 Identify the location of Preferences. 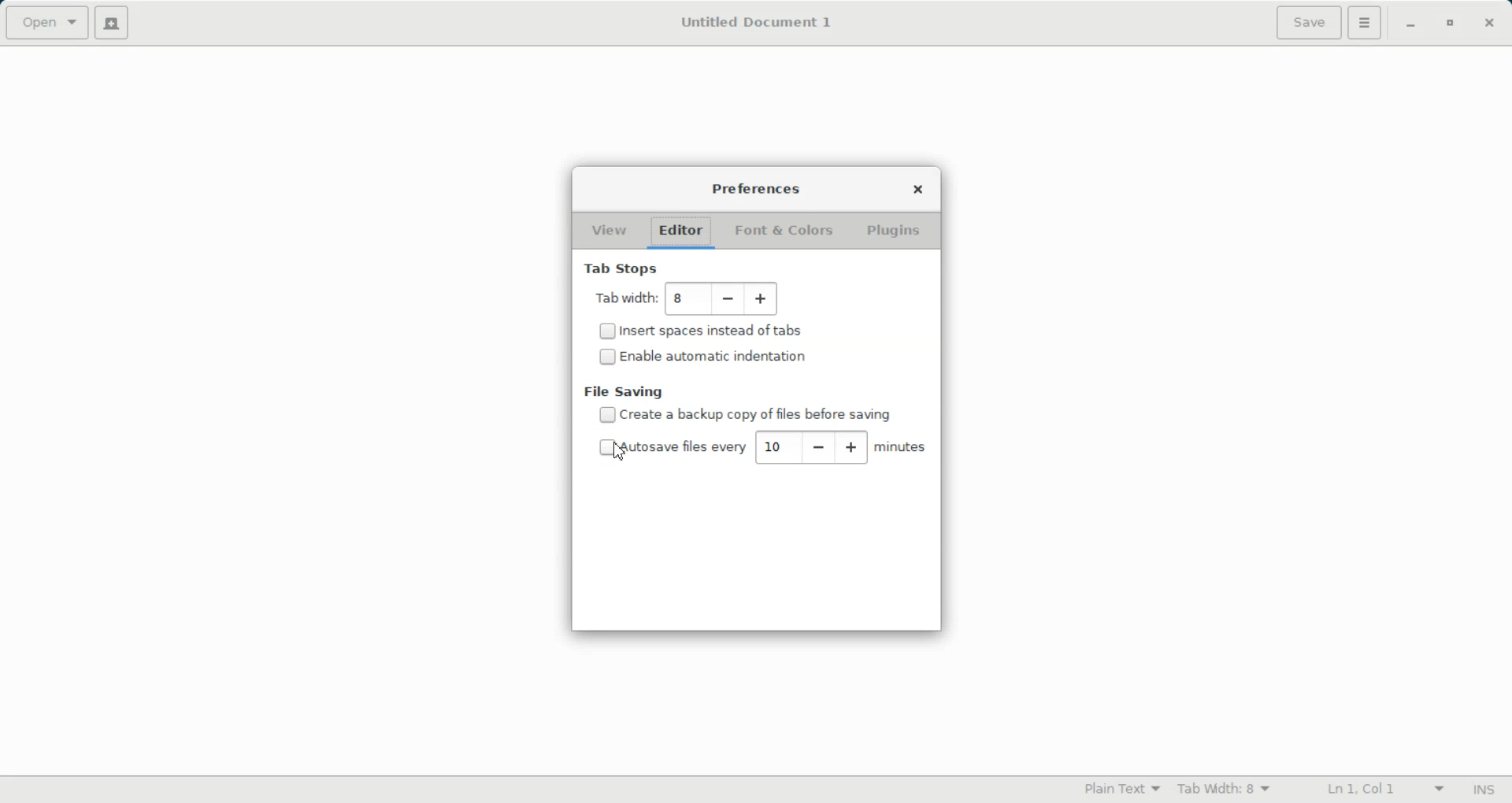
(758, 191).